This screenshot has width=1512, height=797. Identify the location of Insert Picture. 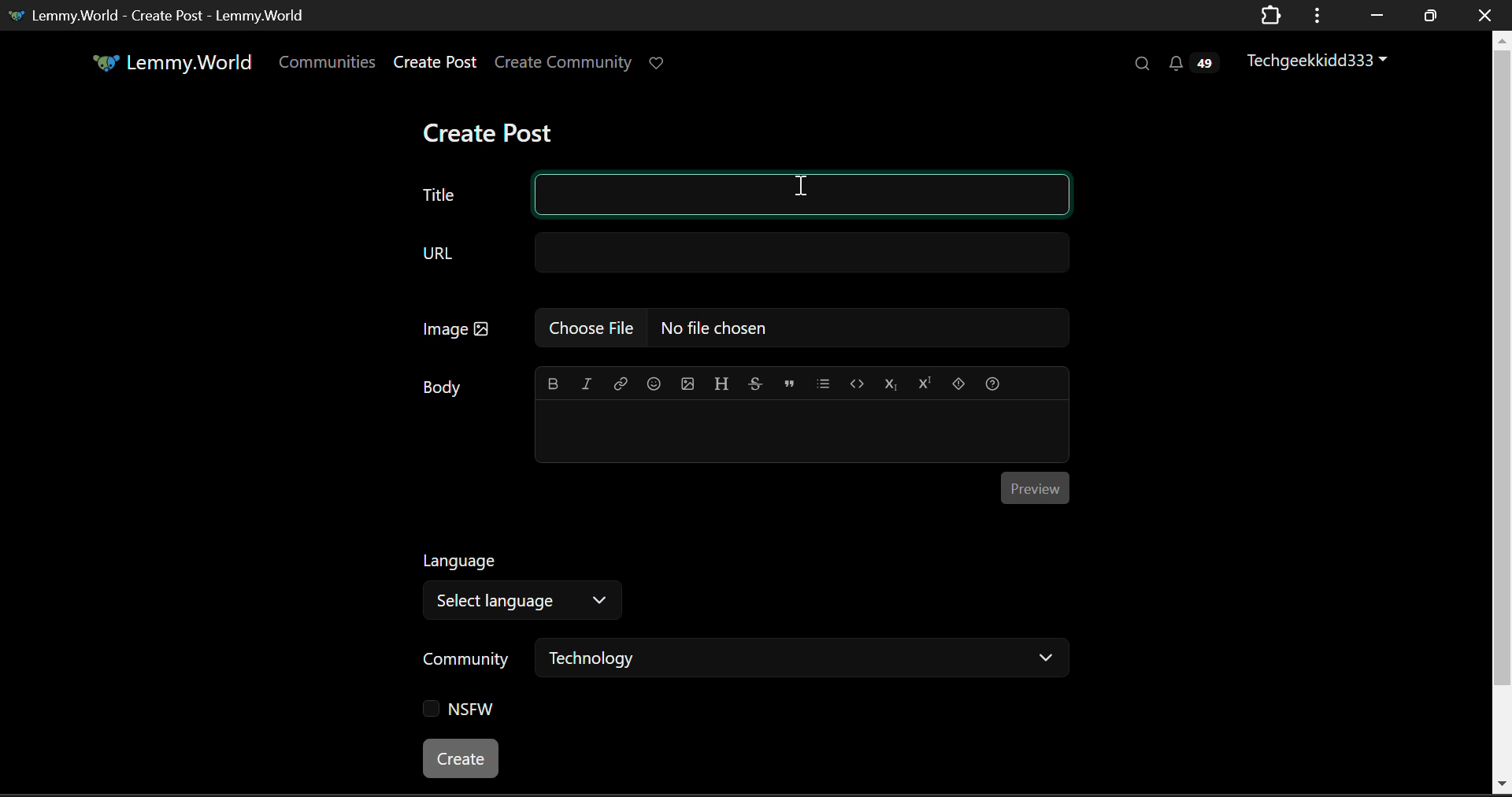
(688, 385).